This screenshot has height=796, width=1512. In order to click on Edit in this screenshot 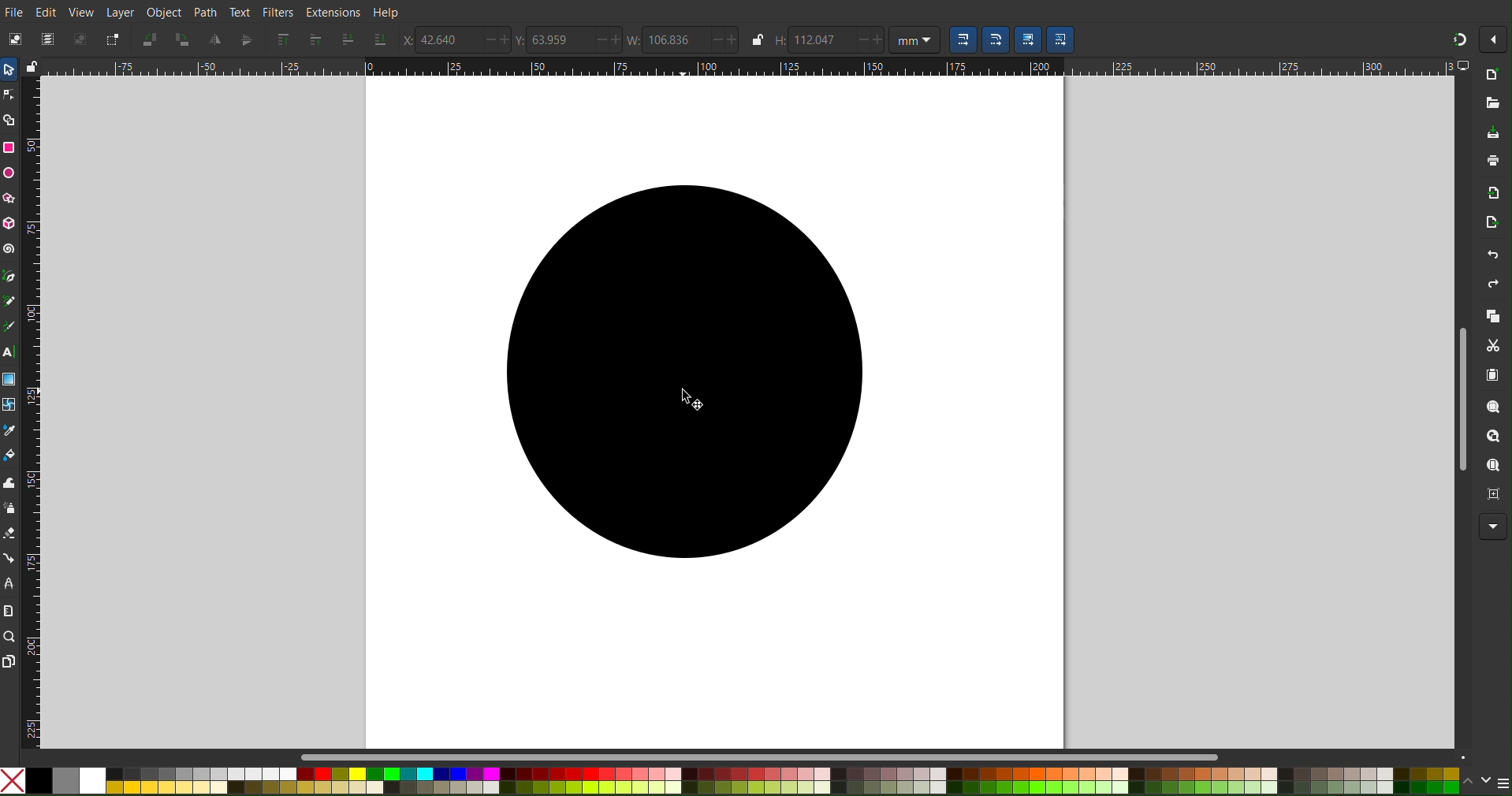, I will do `click(50, 11)`.